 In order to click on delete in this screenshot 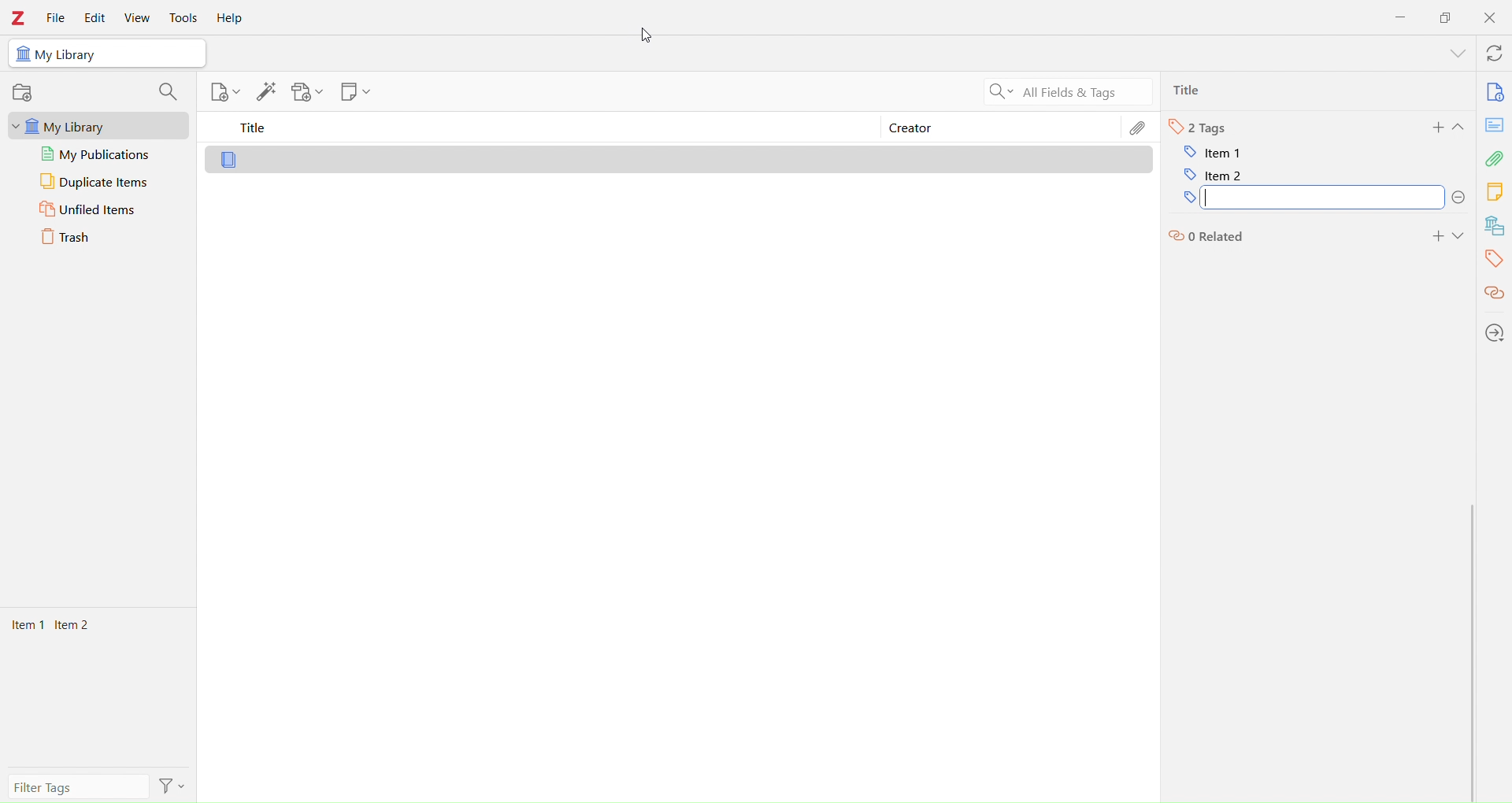, I will do `click(1452, 196)`.